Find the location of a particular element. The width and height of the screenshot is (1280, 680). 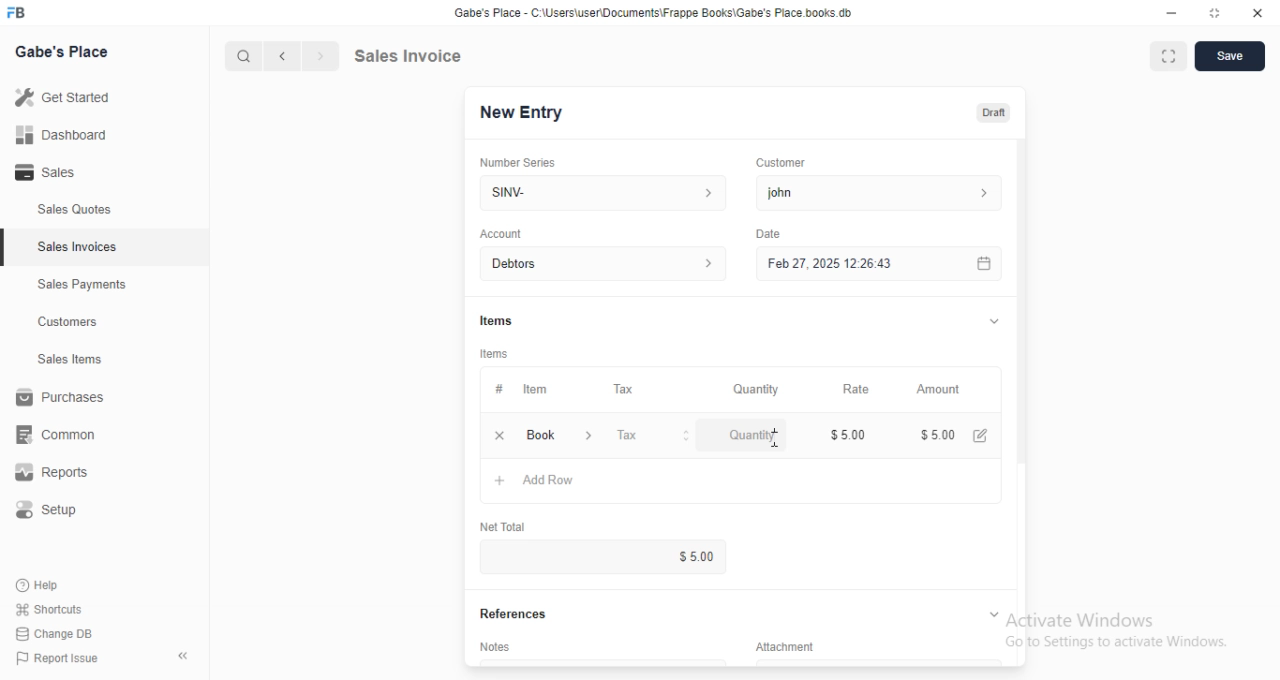

Attachment is located at coordinates (777, 645).